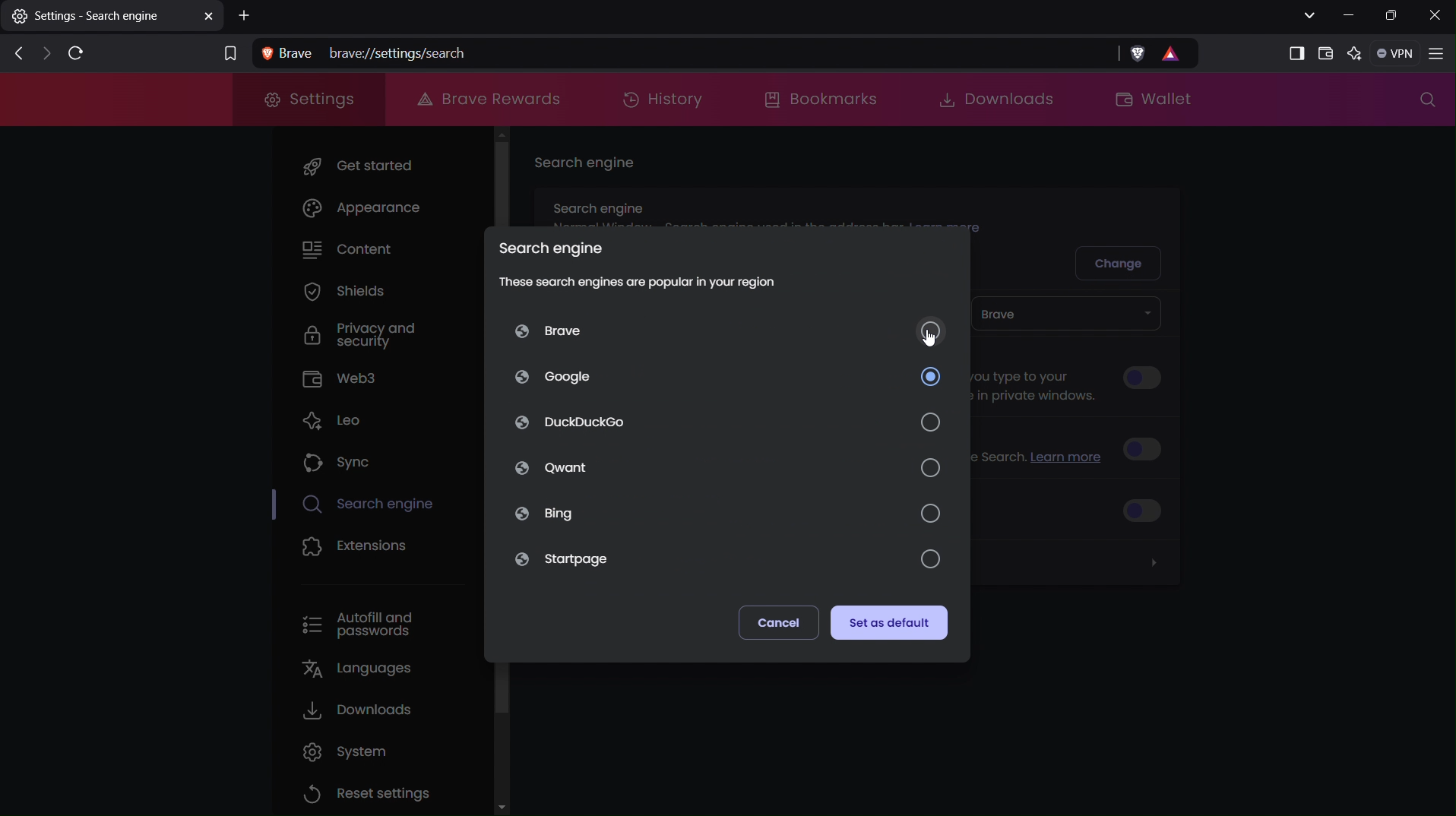 This screenshot has width=1456, height=816. Describe the element at coordinates (548, 244) in the screenshot. I see `Search engine` at that location.